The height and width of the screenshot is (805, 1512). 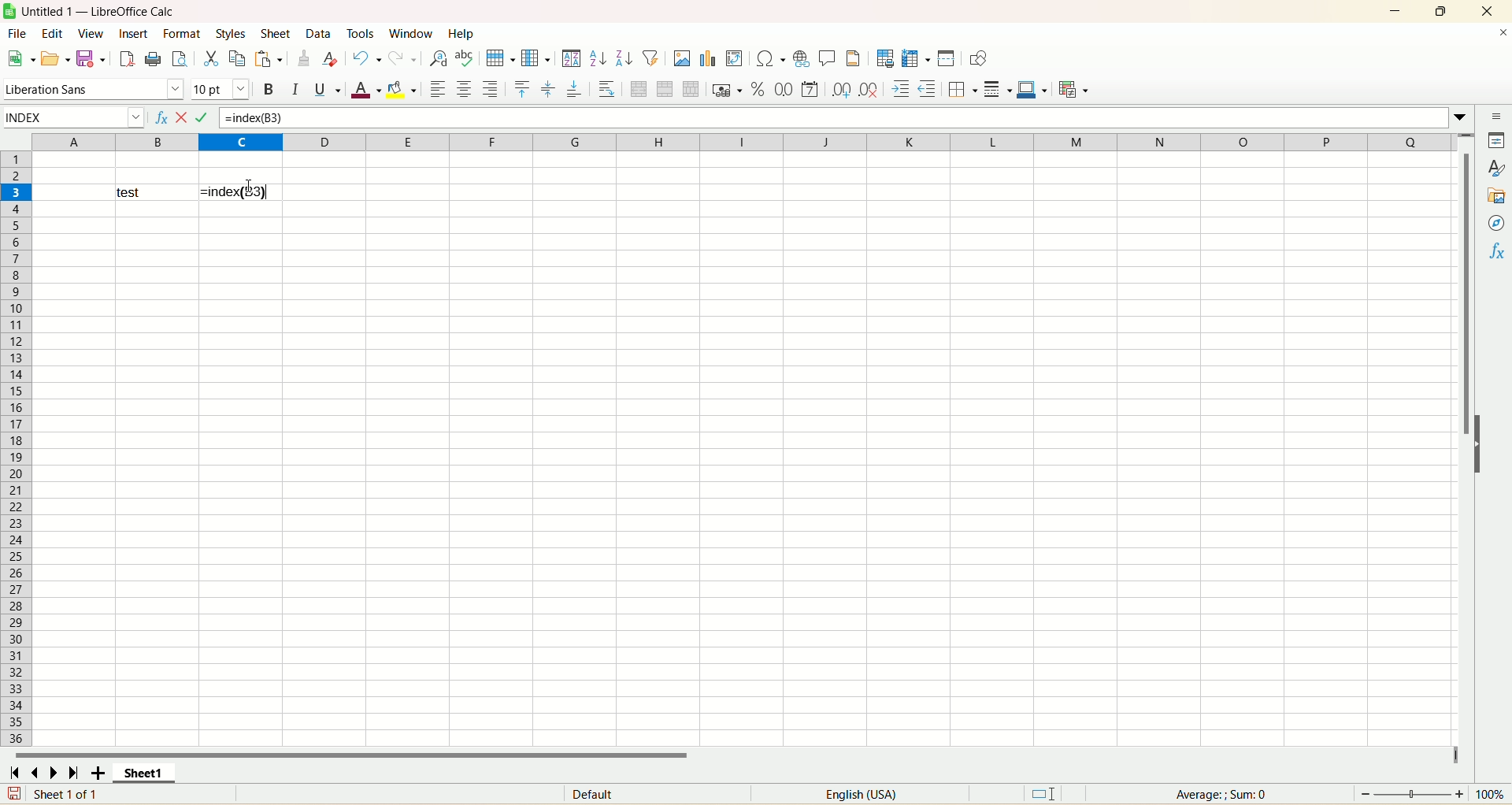 What do you see at coordinates (916, 58) in the screenshot?
I see `Freeze rows and columns` at bounding box center [916, 58].